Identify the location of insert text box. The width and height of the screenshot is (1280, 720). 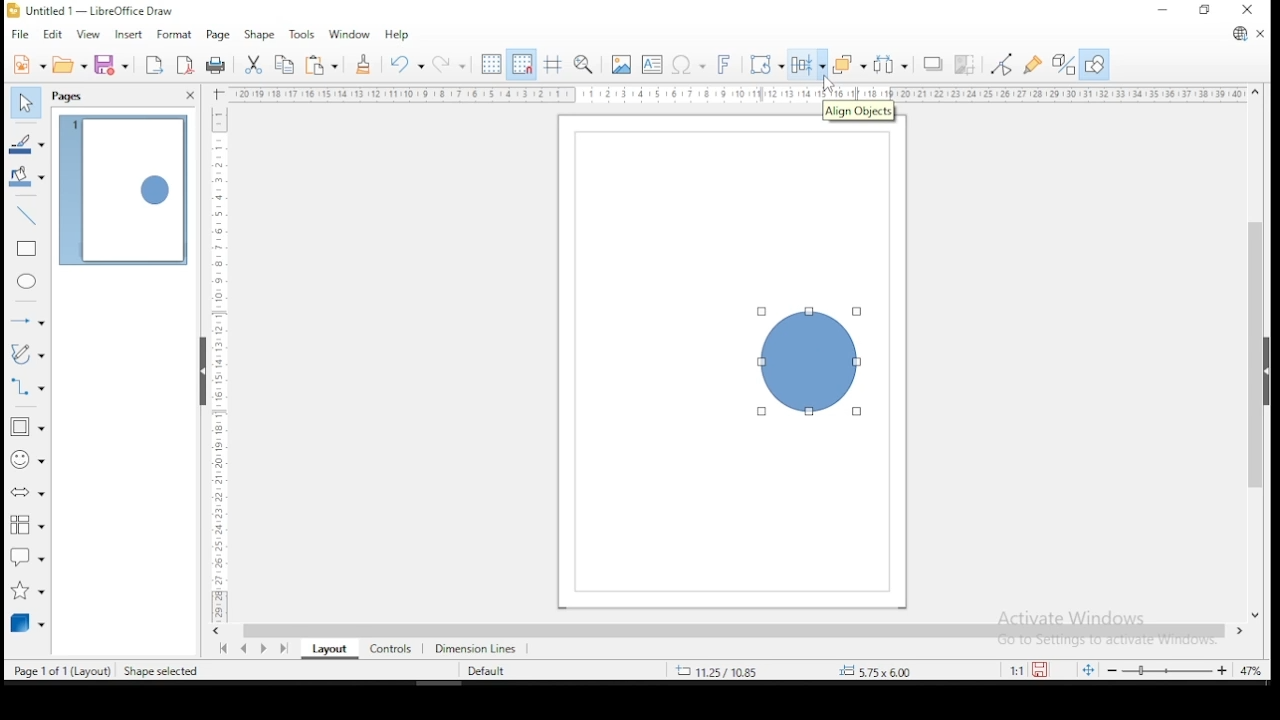
(652, 64).